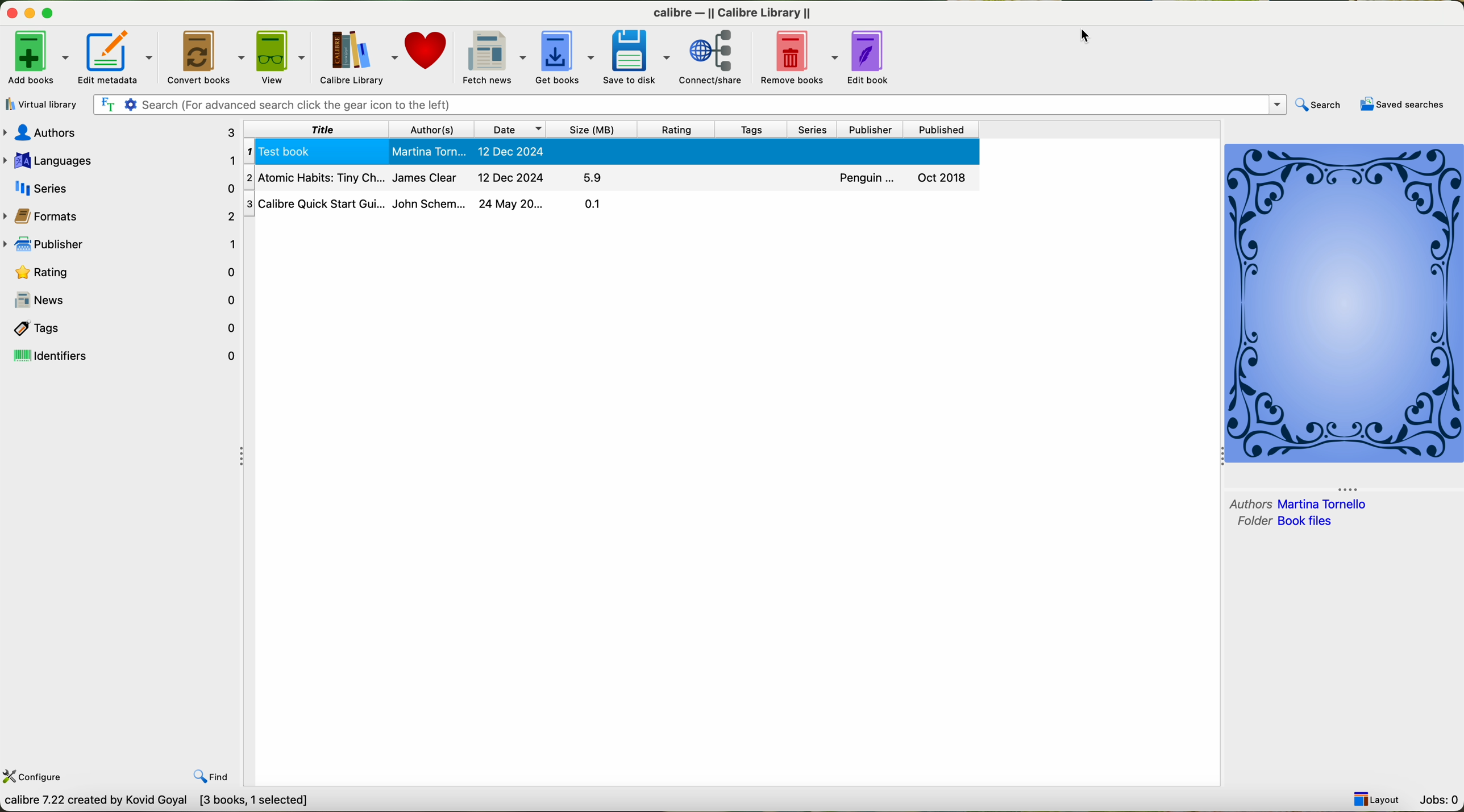 This screenshot has height=812, width=1464. I want to click on rating, so click(121, 272).